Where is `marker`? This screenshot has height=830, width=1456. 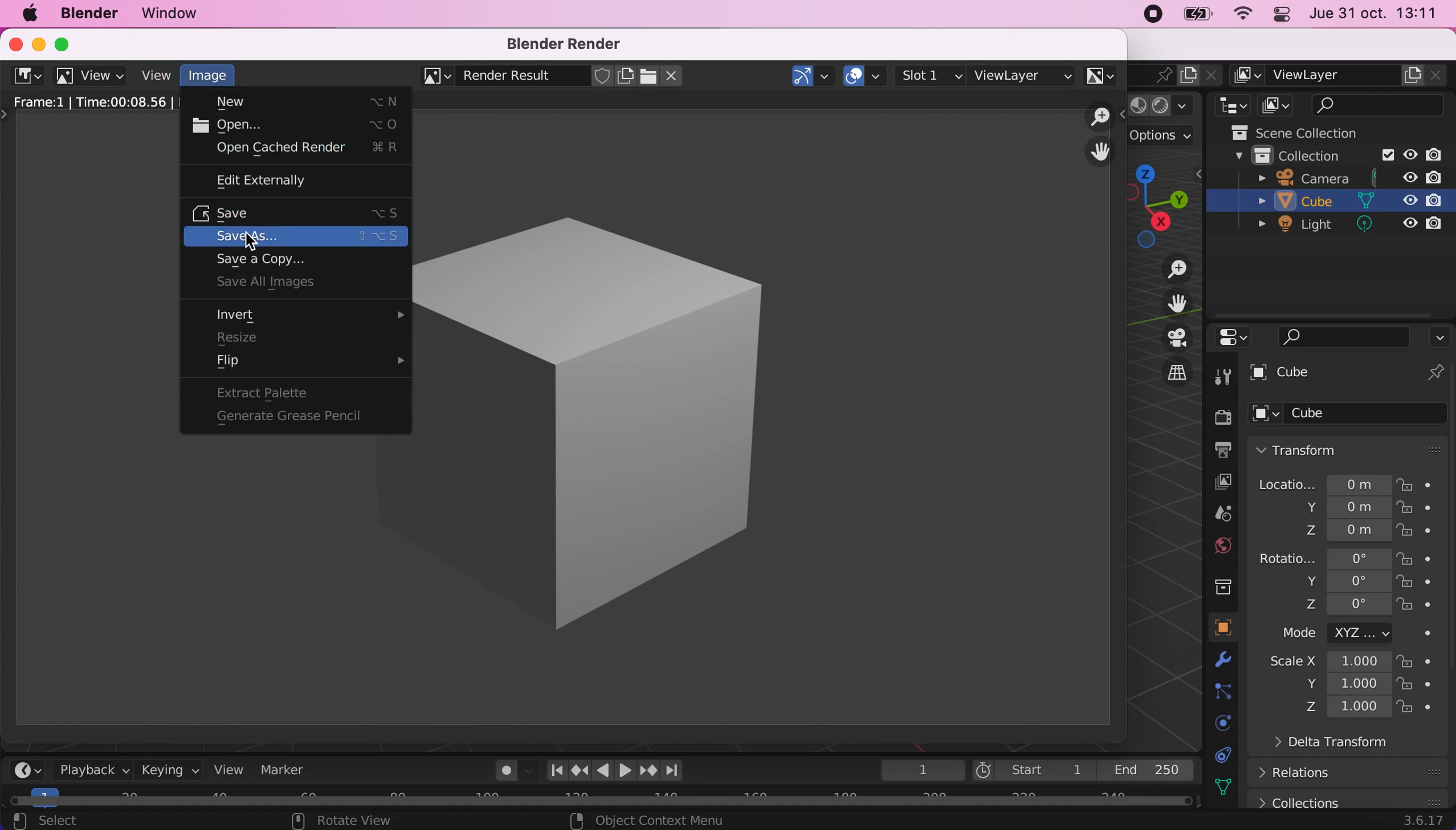 marker is located at coordinates (291, 771).